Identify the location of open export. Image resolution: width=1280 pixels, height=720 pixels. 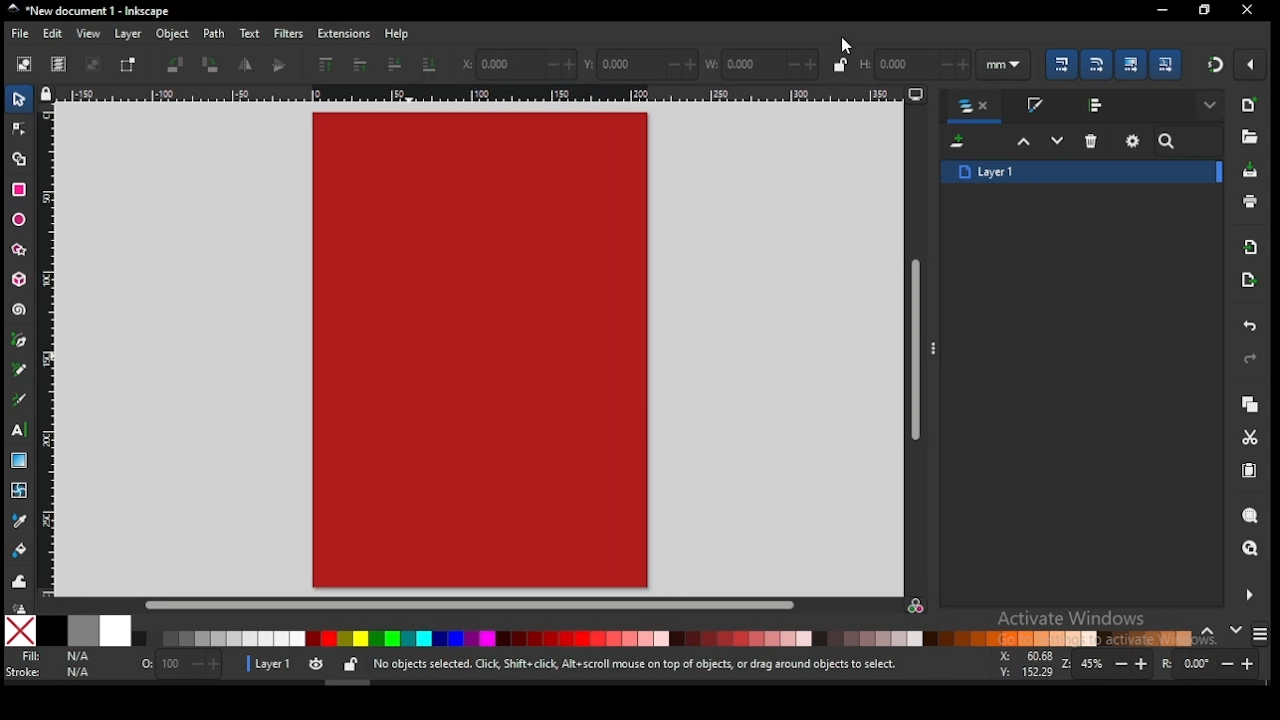
(1248, 279).